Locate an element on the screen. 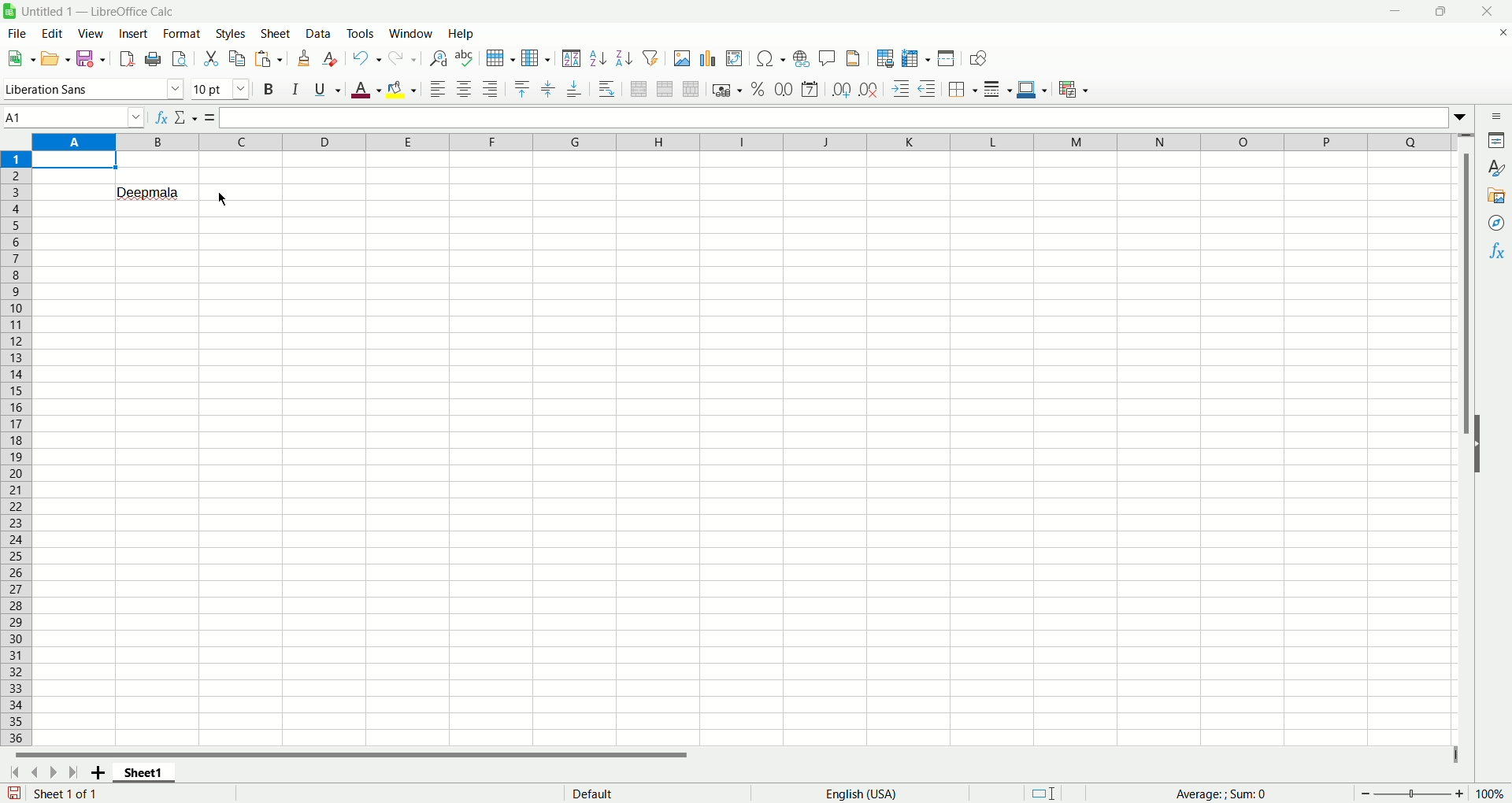 The image size is (1512, 803). Copy is located at coordinates (238, 59).